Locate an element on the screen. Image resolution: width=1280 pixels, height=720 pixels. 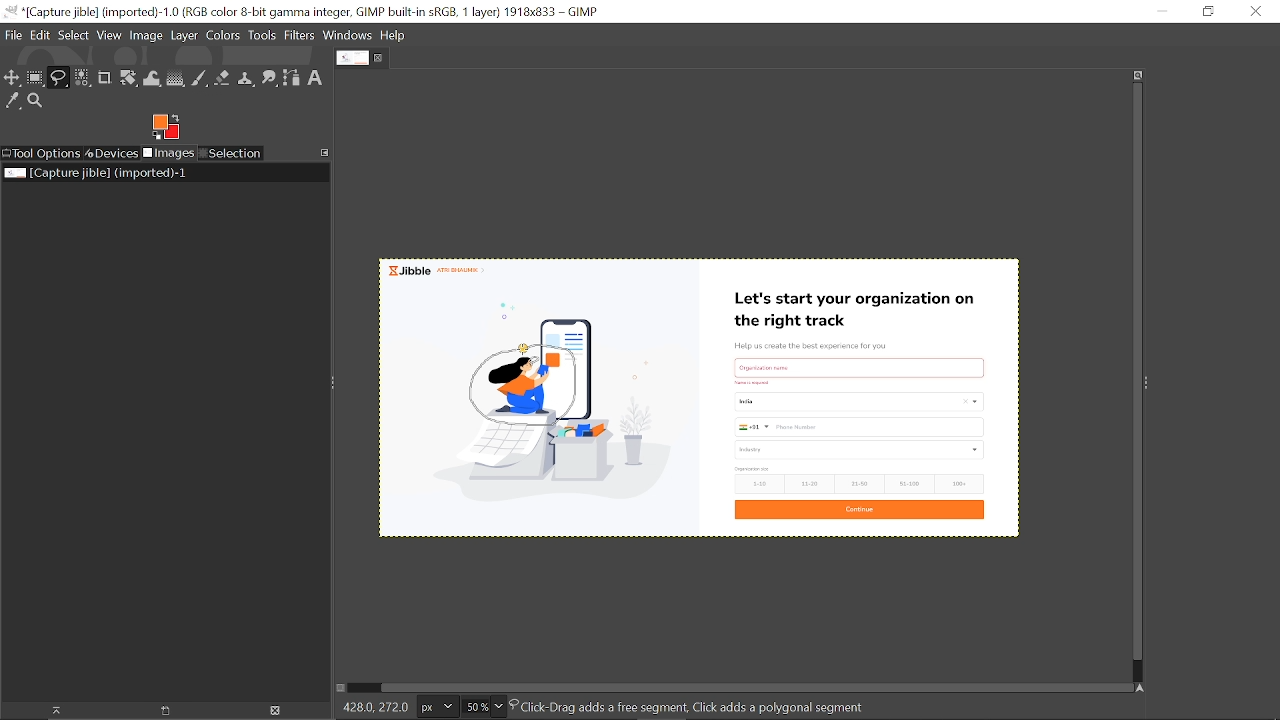
Select by color is located at coordinates (82, 79).